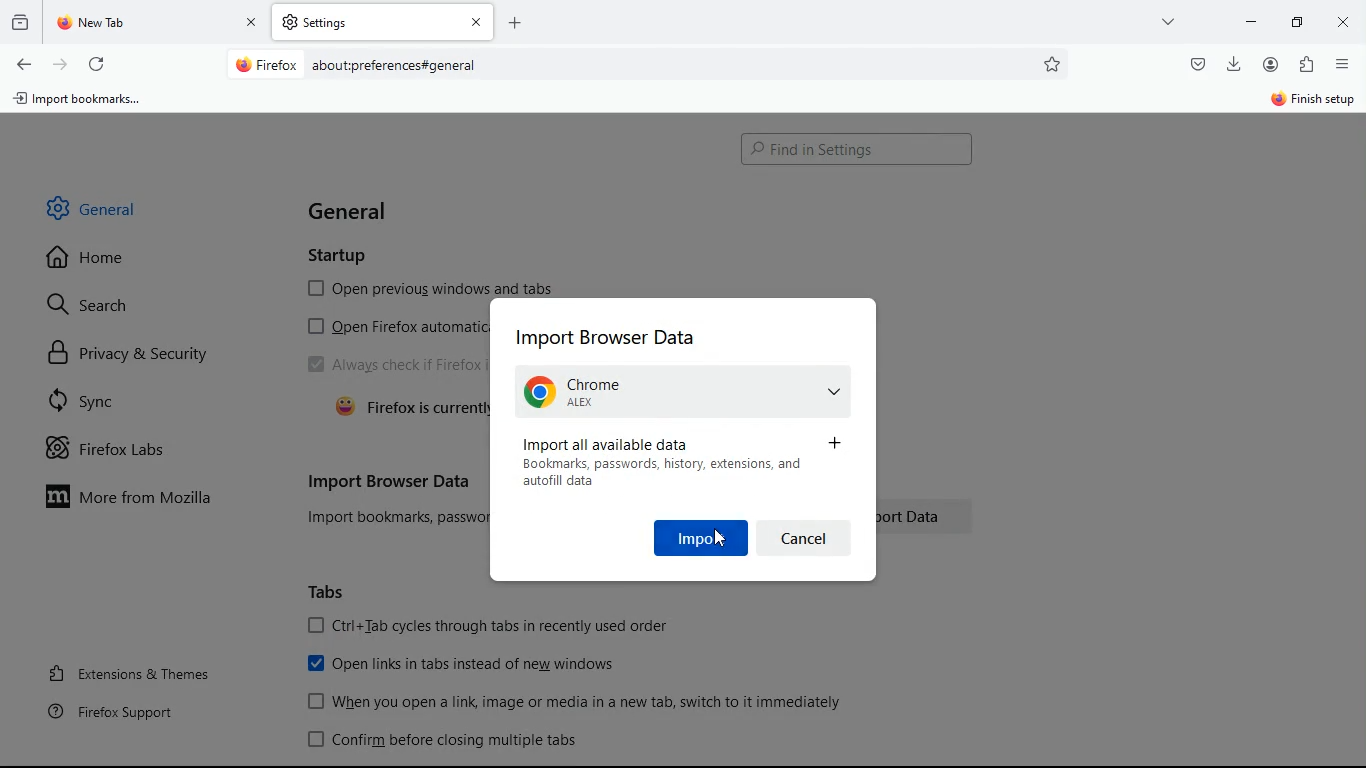 Image resolution: width=1366 pixels, height=768 pixels. I want to click on Bookmark, password, history, extensions, and autofill data, so click(660, 472).